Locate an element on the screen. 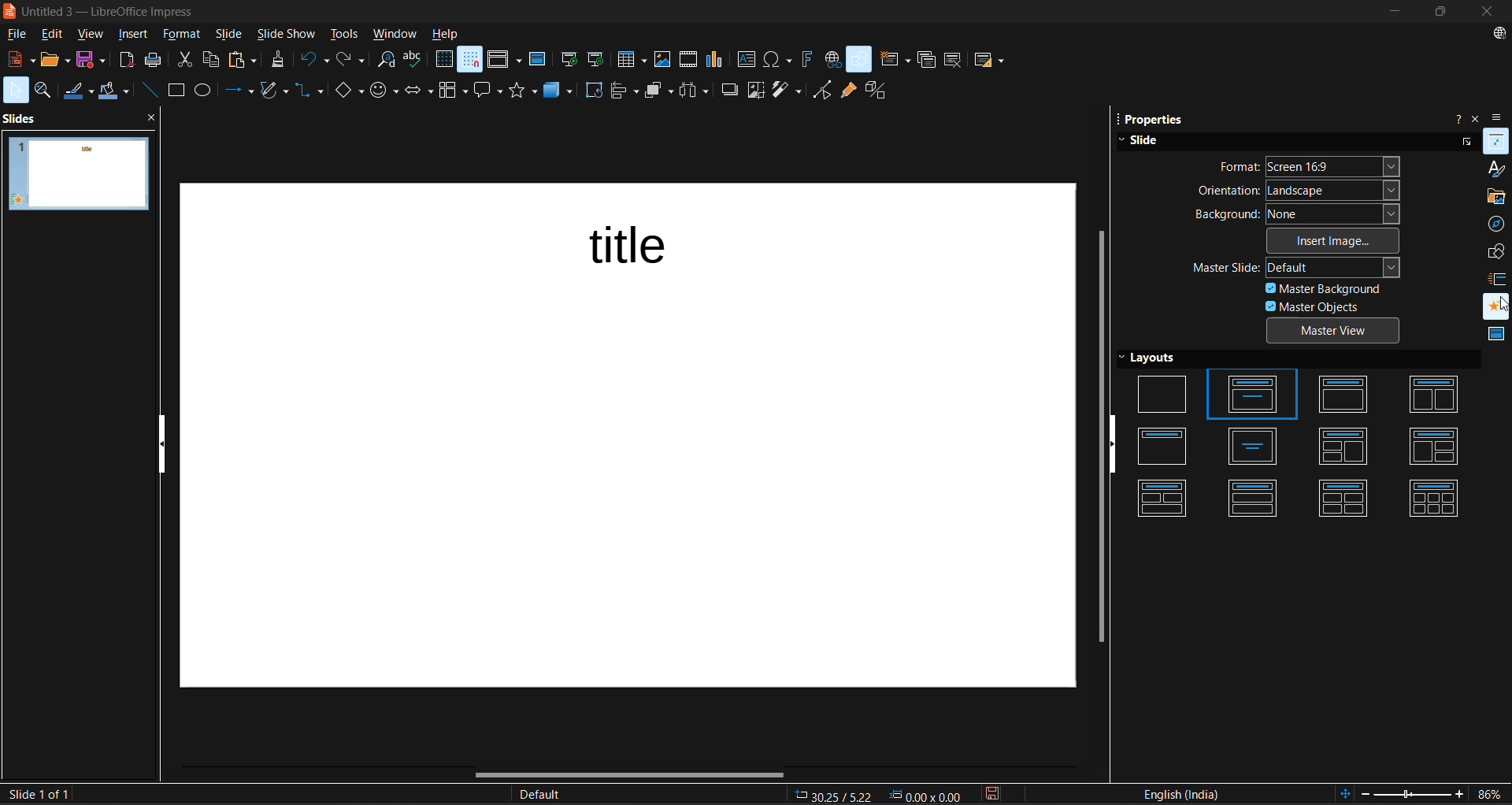 Image resolution: width=1512 pixels, height=805 pixels. slide show is located at coordinates (287, 35).